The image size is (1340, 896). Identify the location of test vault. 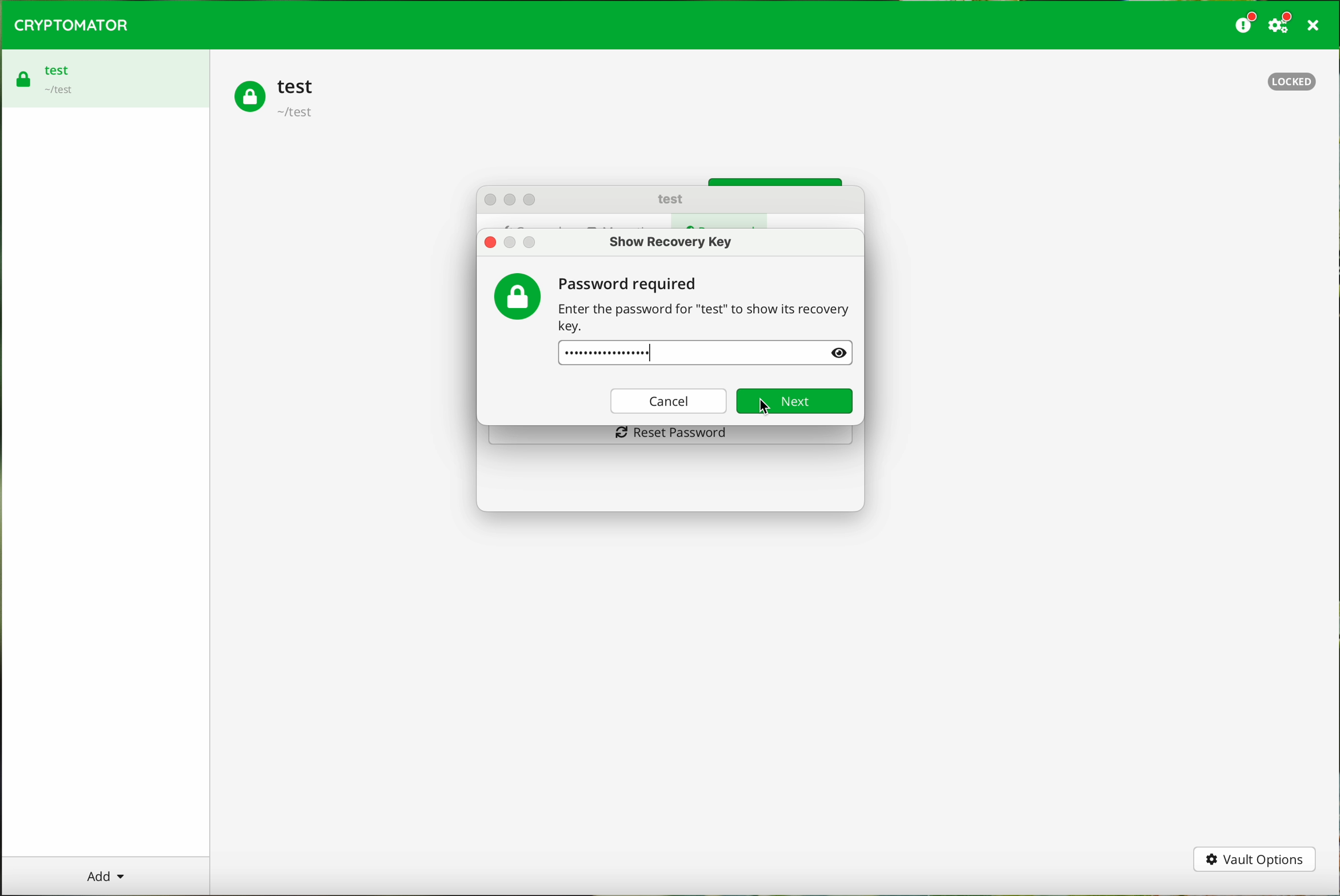
(278, 99).